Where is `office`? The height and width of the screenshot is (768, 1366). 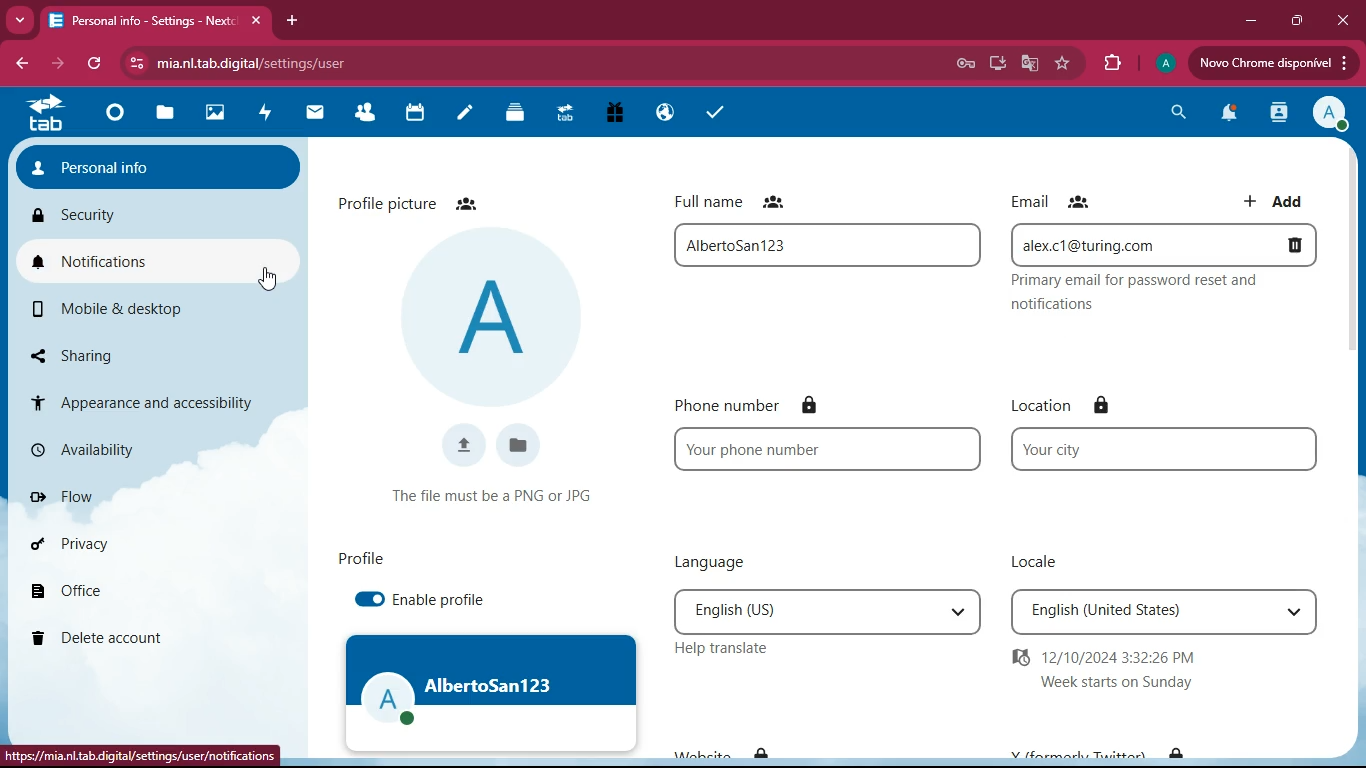
office is located at coordinates (145, 590).